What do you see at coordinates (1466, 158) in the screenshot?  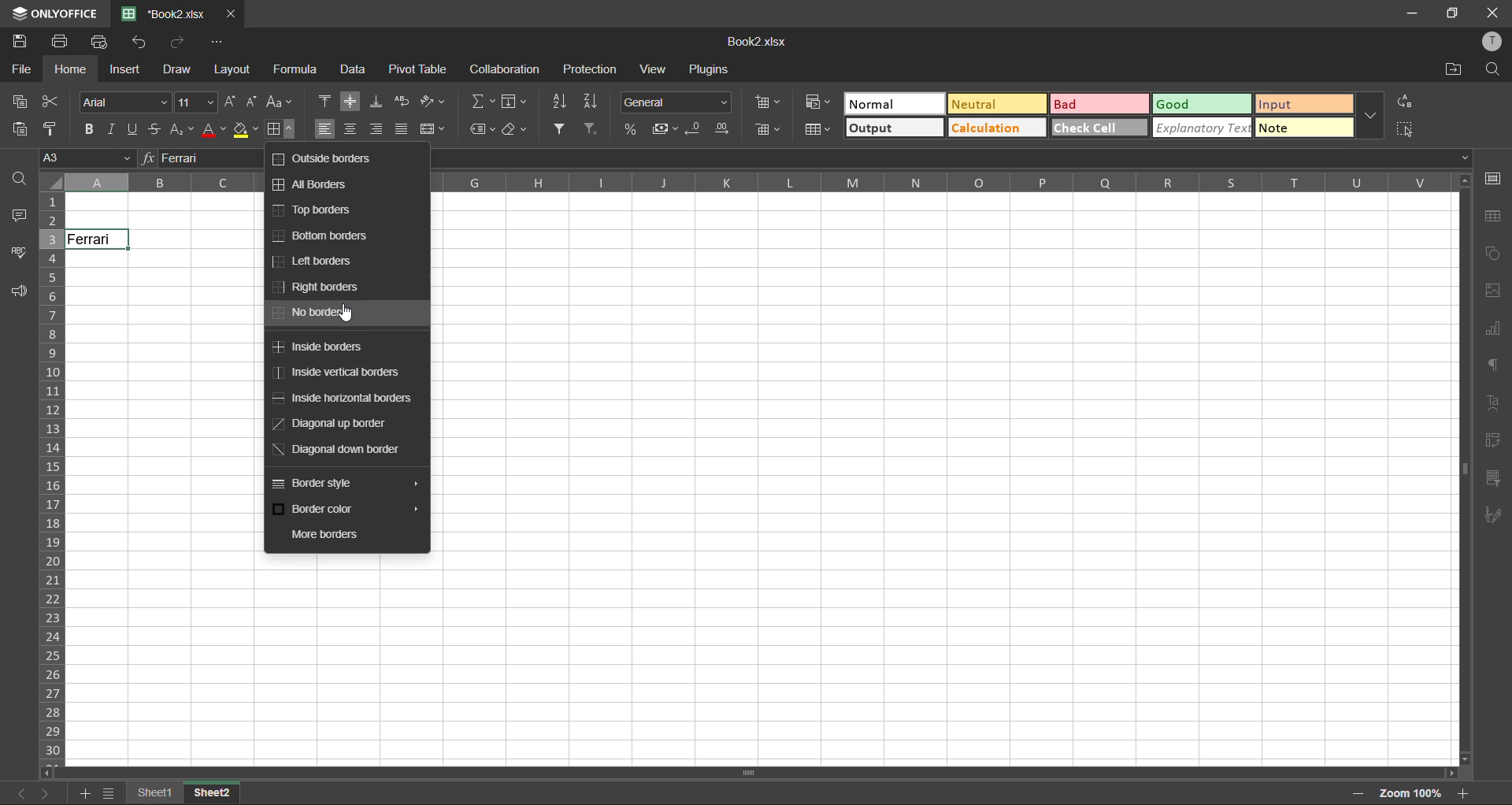 I see `Dropdown` at bounding box center [1466, 158].